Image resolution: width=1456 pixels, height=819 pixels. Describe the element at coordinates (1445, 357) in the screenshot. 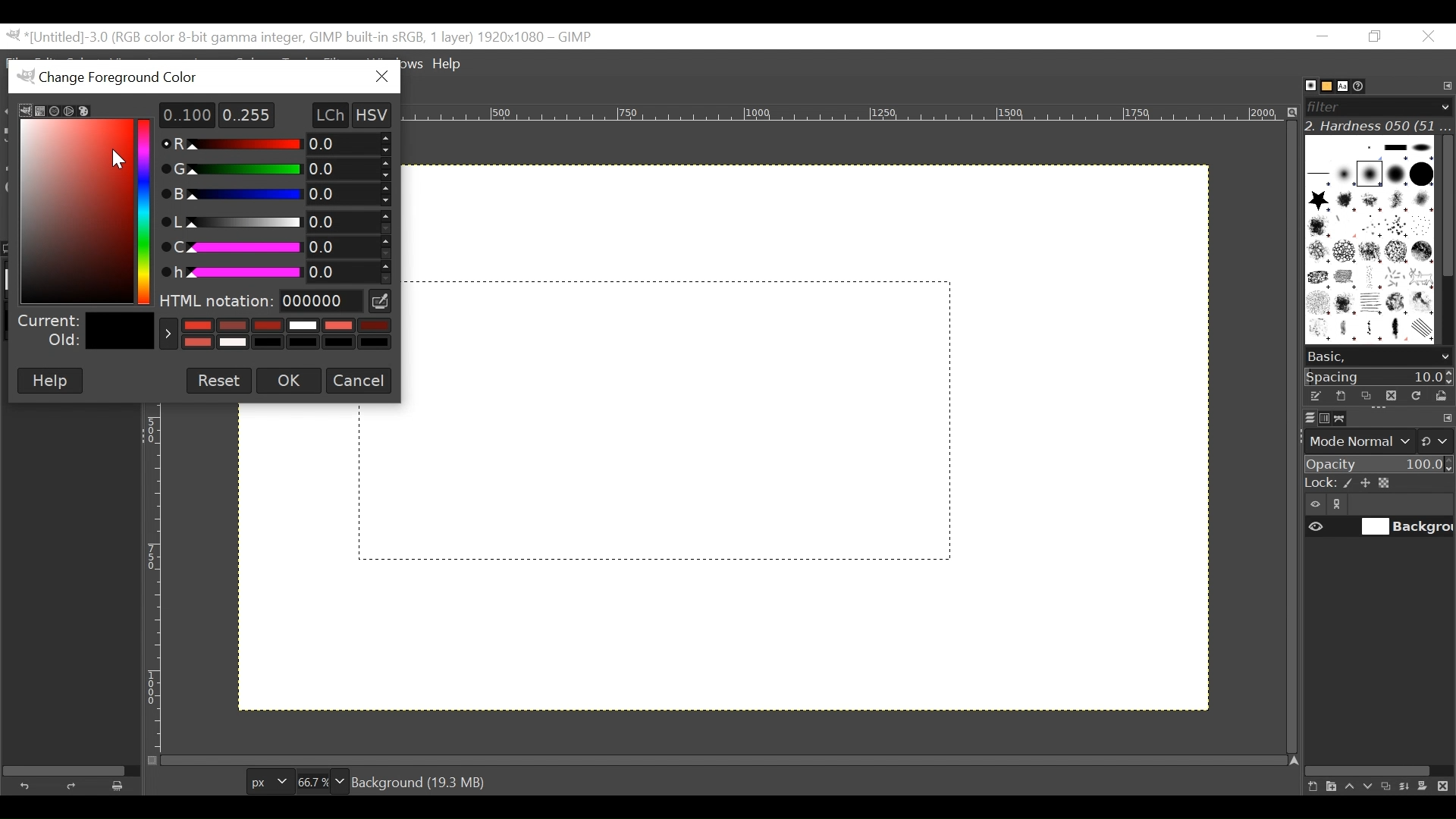

I see `scroll down` at that location.